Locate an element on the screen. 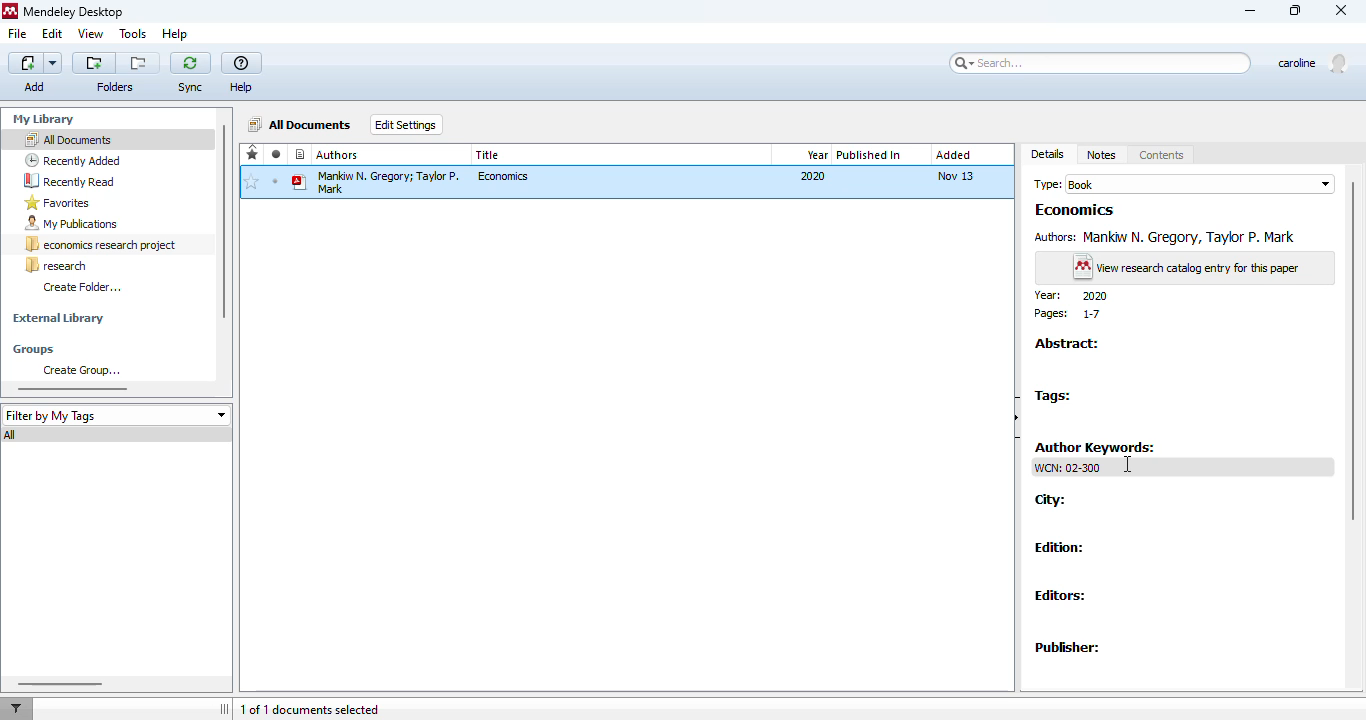 The width and height of the screenshot is (1366, 720). Mankiw N. Gregory; Taylor P. Mark is located at coordinates (376, 183).